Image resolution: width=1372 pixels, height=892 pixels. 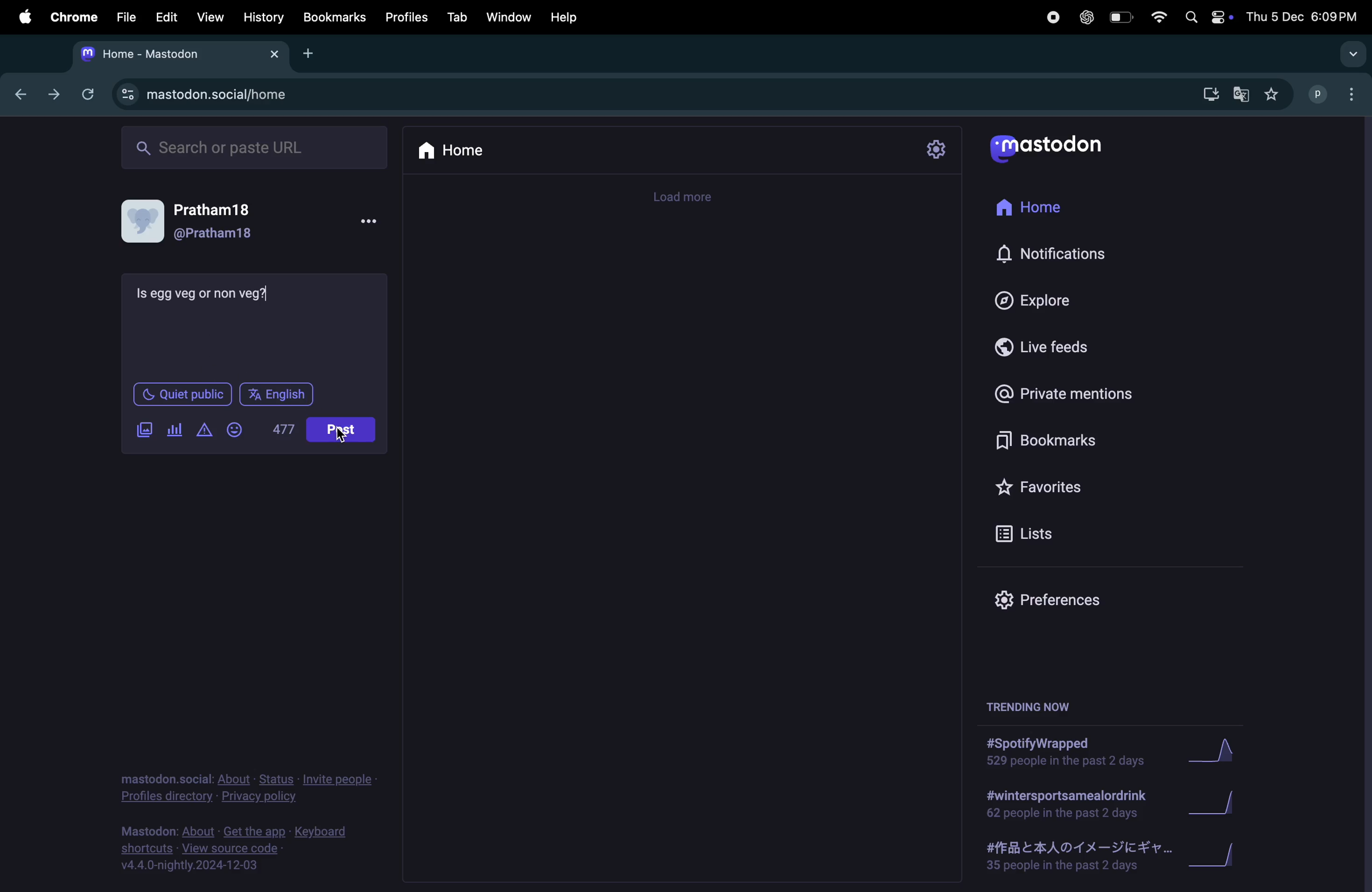 What do you see at coordinates (1067, 804) in the screenshot?
I see `#wintersportdrink` at bounding box center [1067, 804].